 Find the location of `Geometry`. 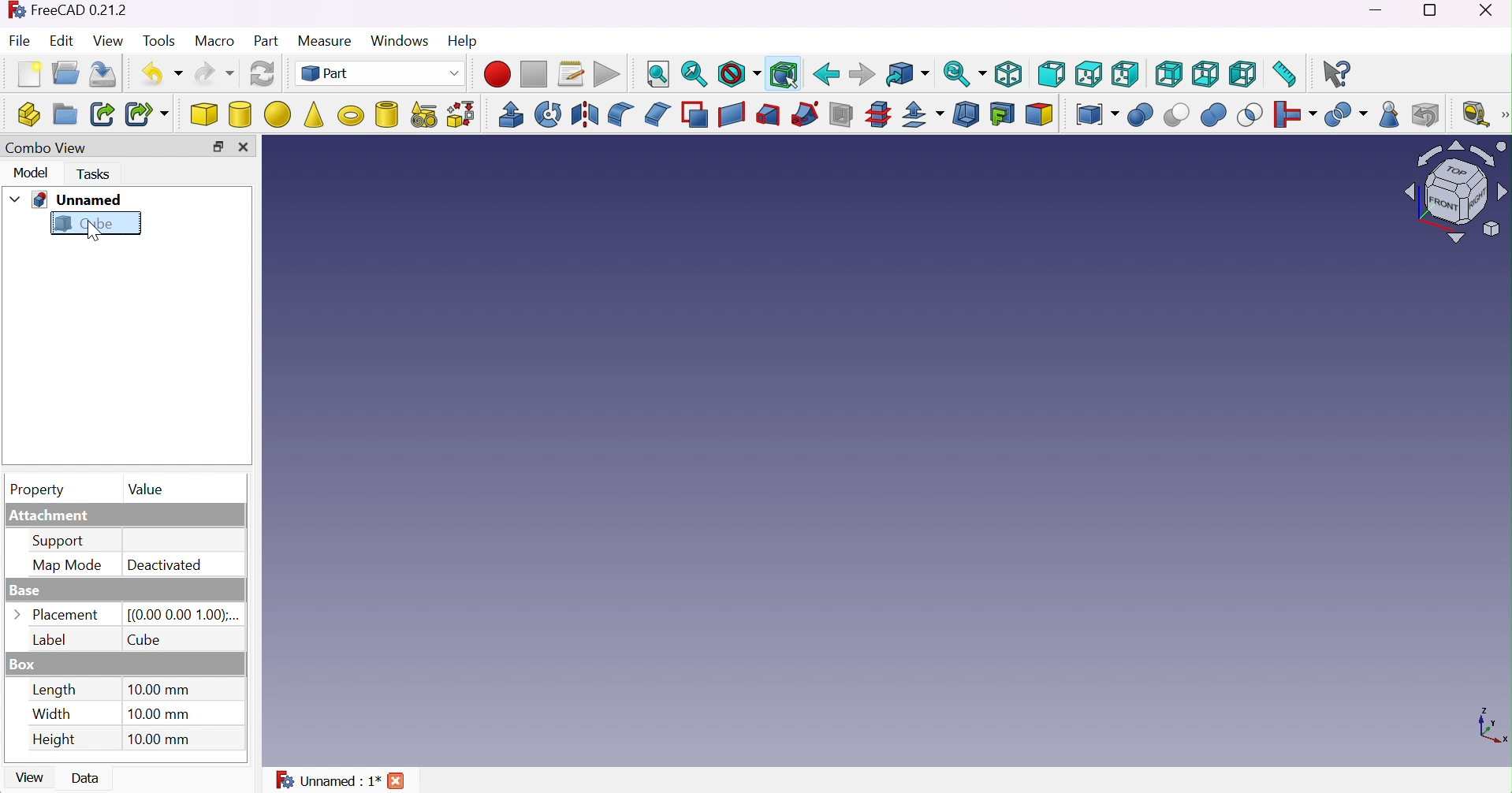

Geometry is located at coordinates (1391, 117).